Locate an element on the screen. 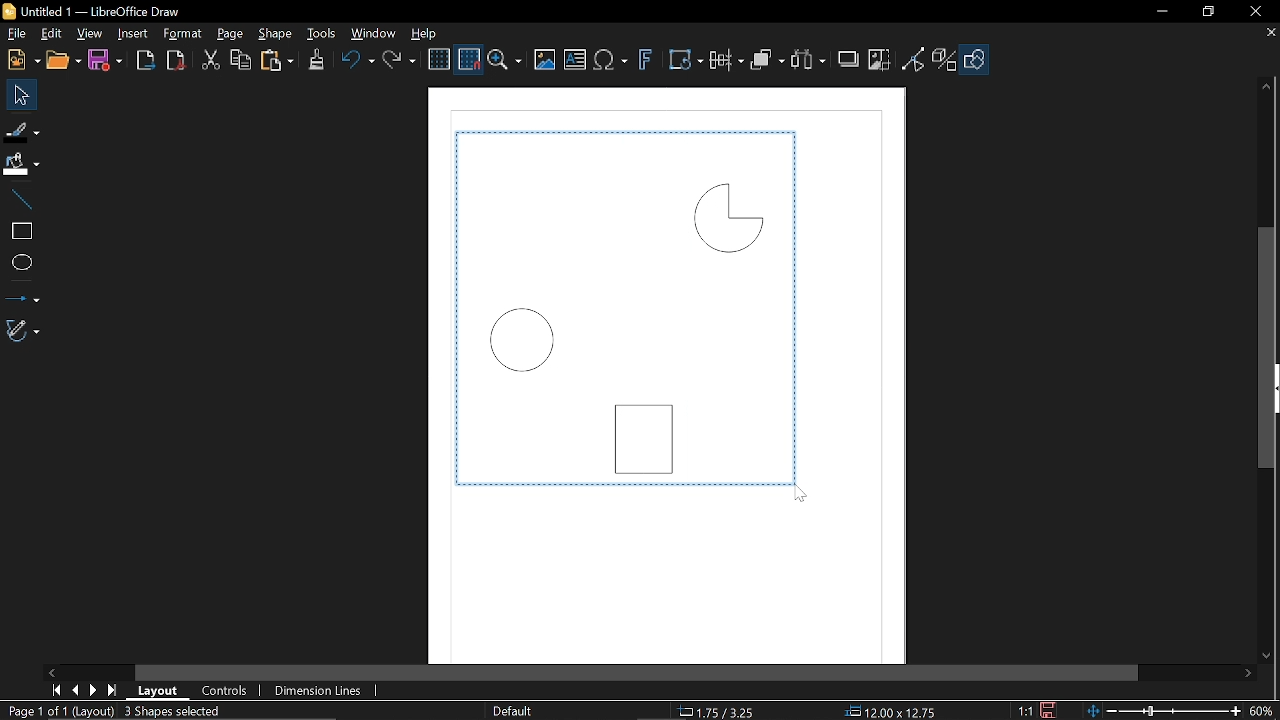 This screenshot has width=1280, height=720. Format is located at coordinates (182, 34).